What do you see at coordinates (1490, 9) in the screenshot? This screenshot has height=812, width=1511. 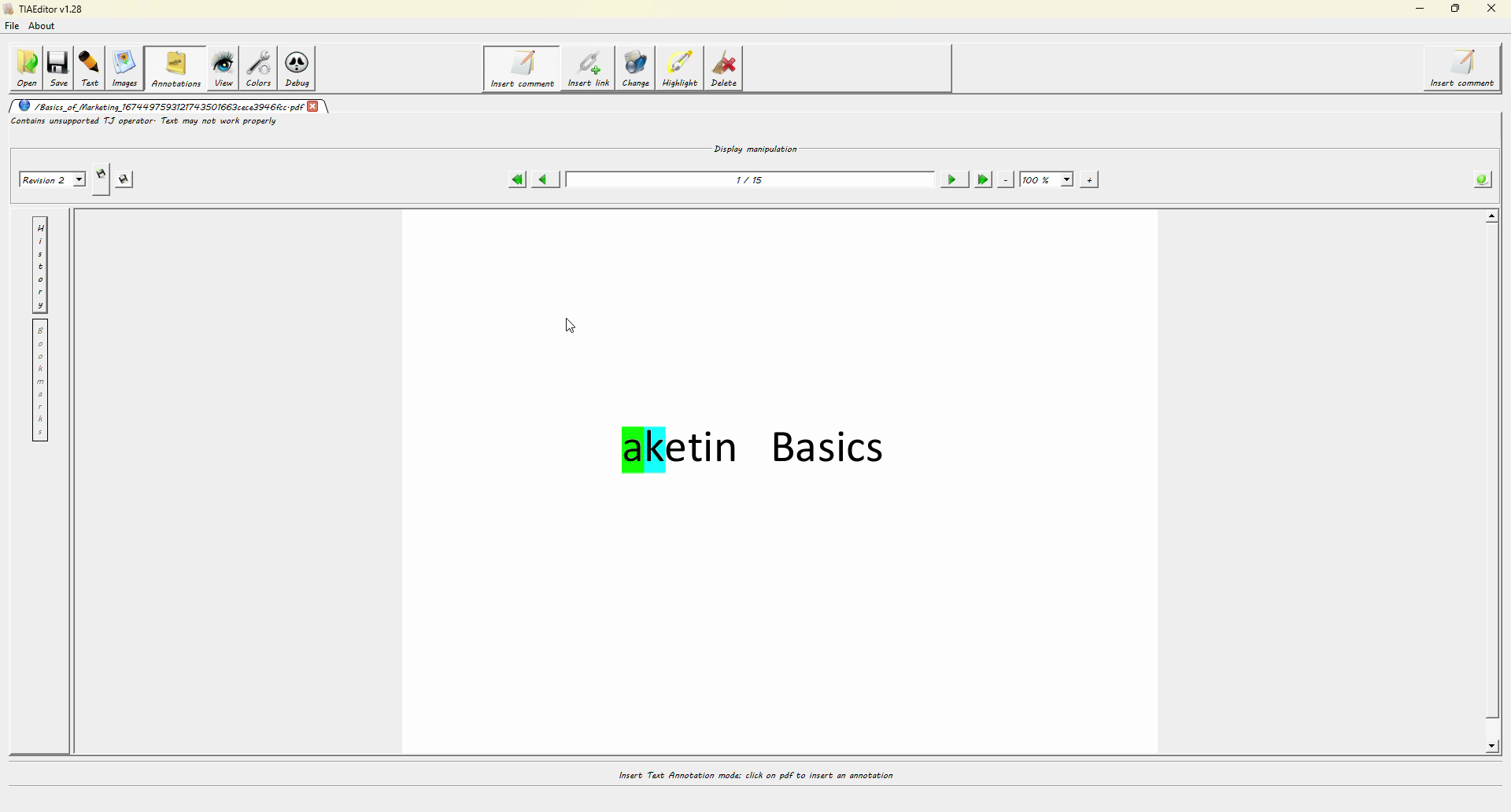 I see `close` at bounding box center [1490, 9].